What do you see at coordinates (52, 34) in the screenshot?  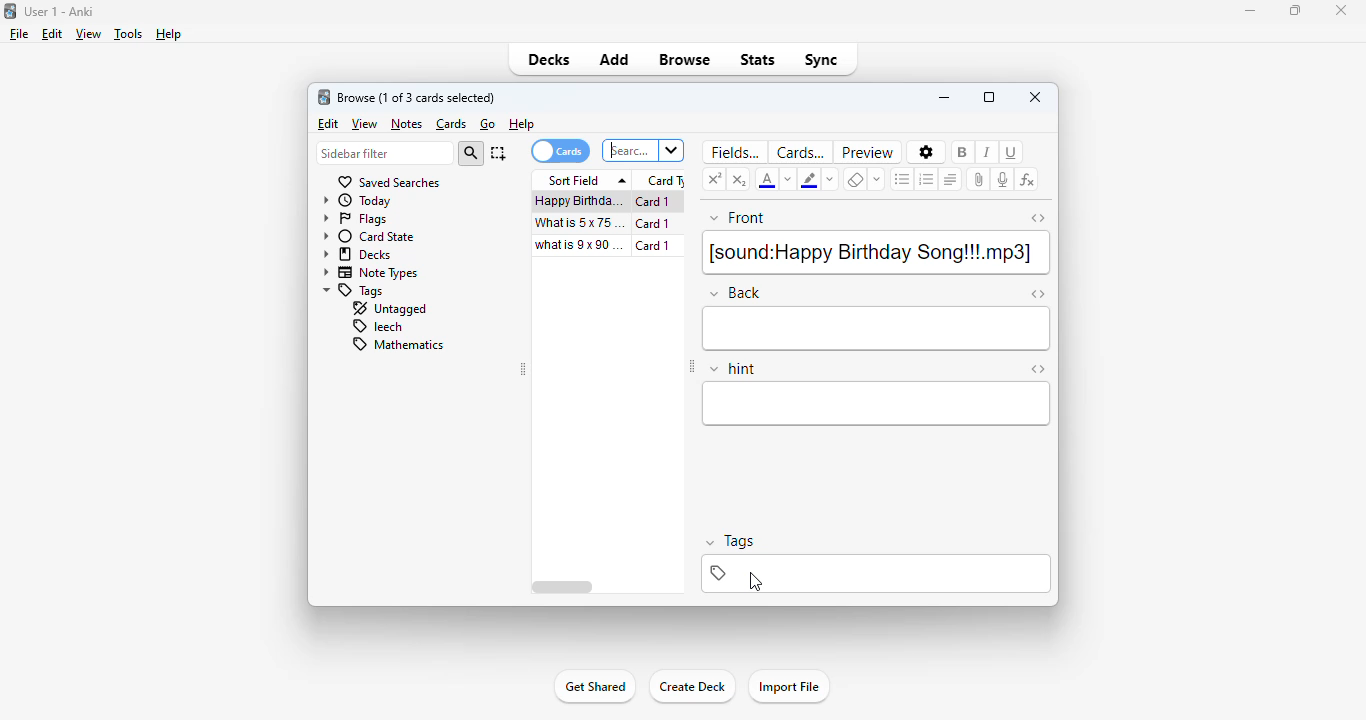 I see `edit` at bounding box center [52, 34].